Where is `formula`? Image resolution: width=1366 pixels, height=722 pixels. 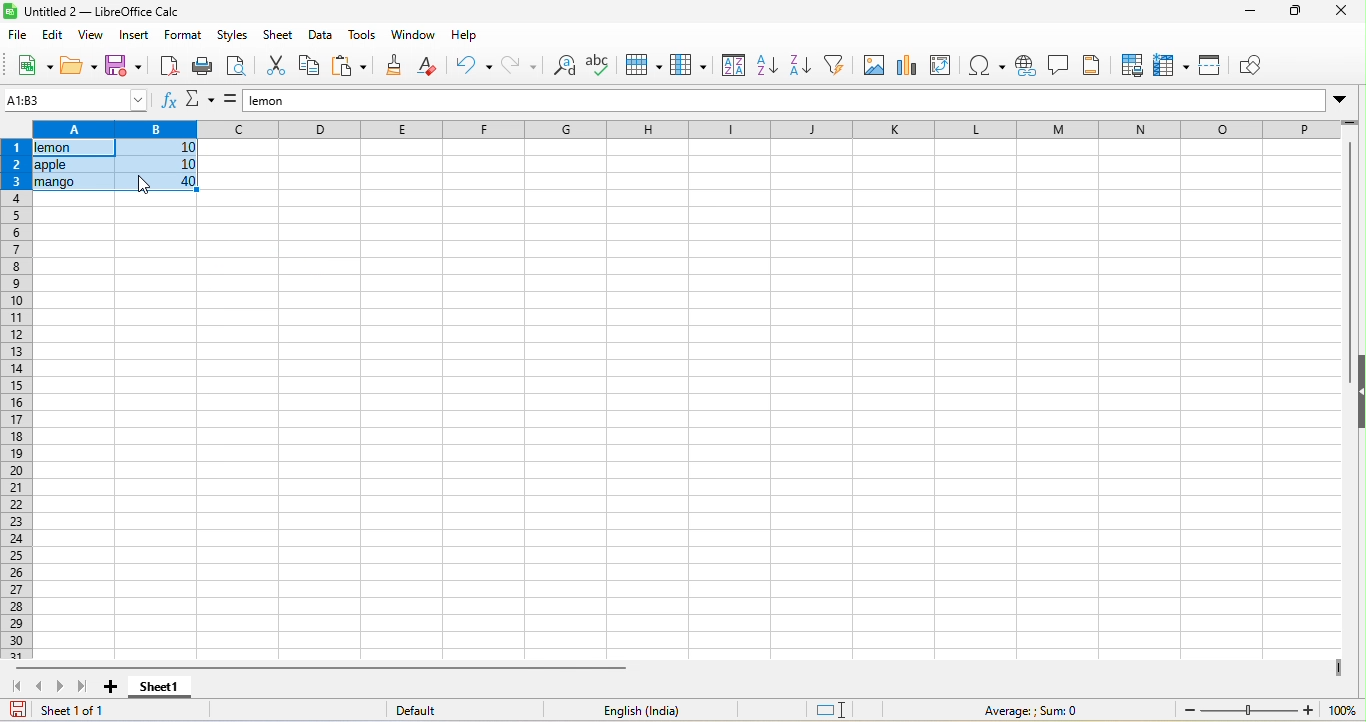 formula is located at coordinates (230, 102).